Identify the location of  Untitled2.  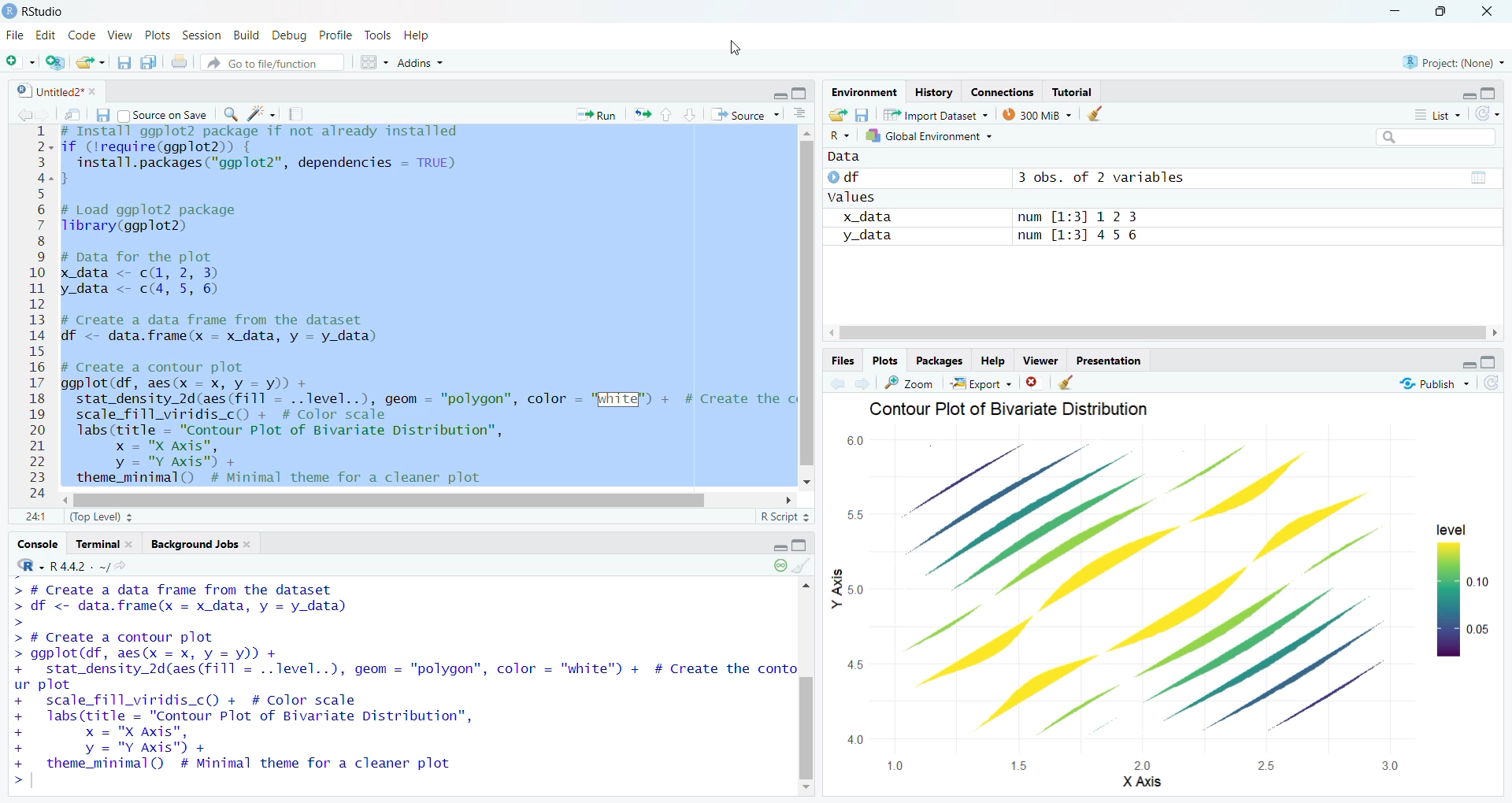
(60, 93).